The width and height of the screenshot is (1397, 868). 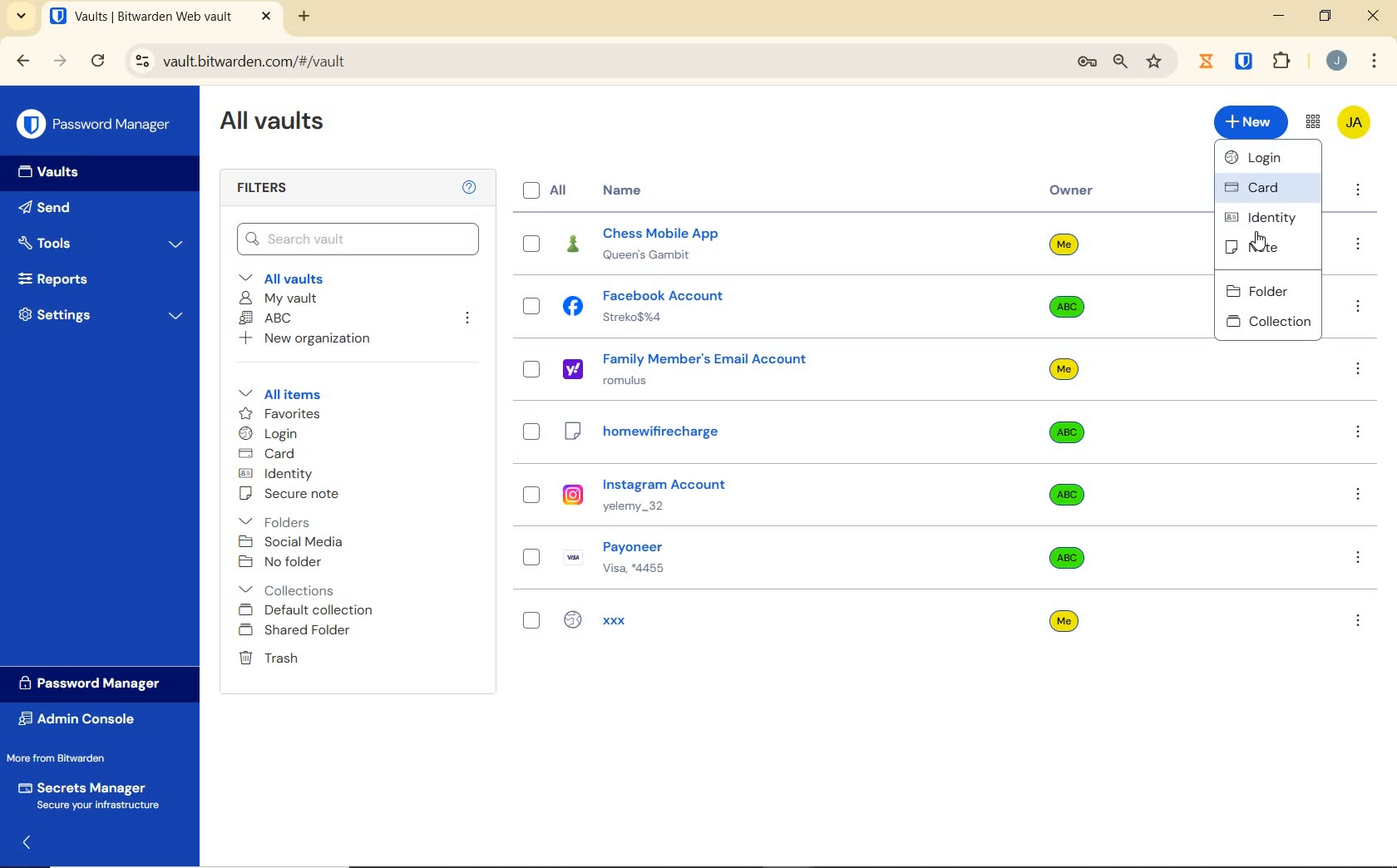 I want to click on Family Member's Email Account, so click(x=691, y=368).